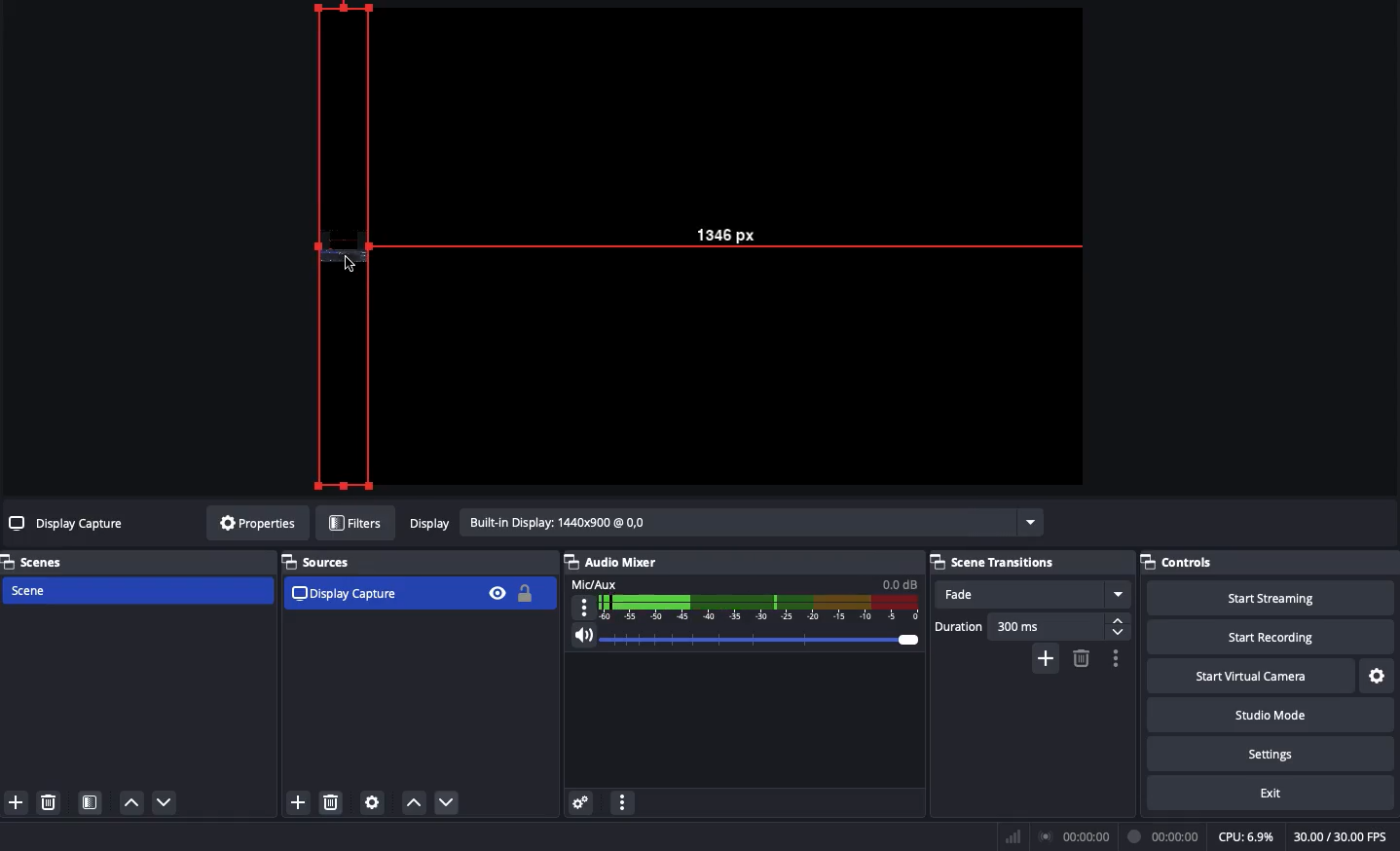 The height and width of the screenshot is (851, 1400). I want to click on Move up, so click(130, 801).